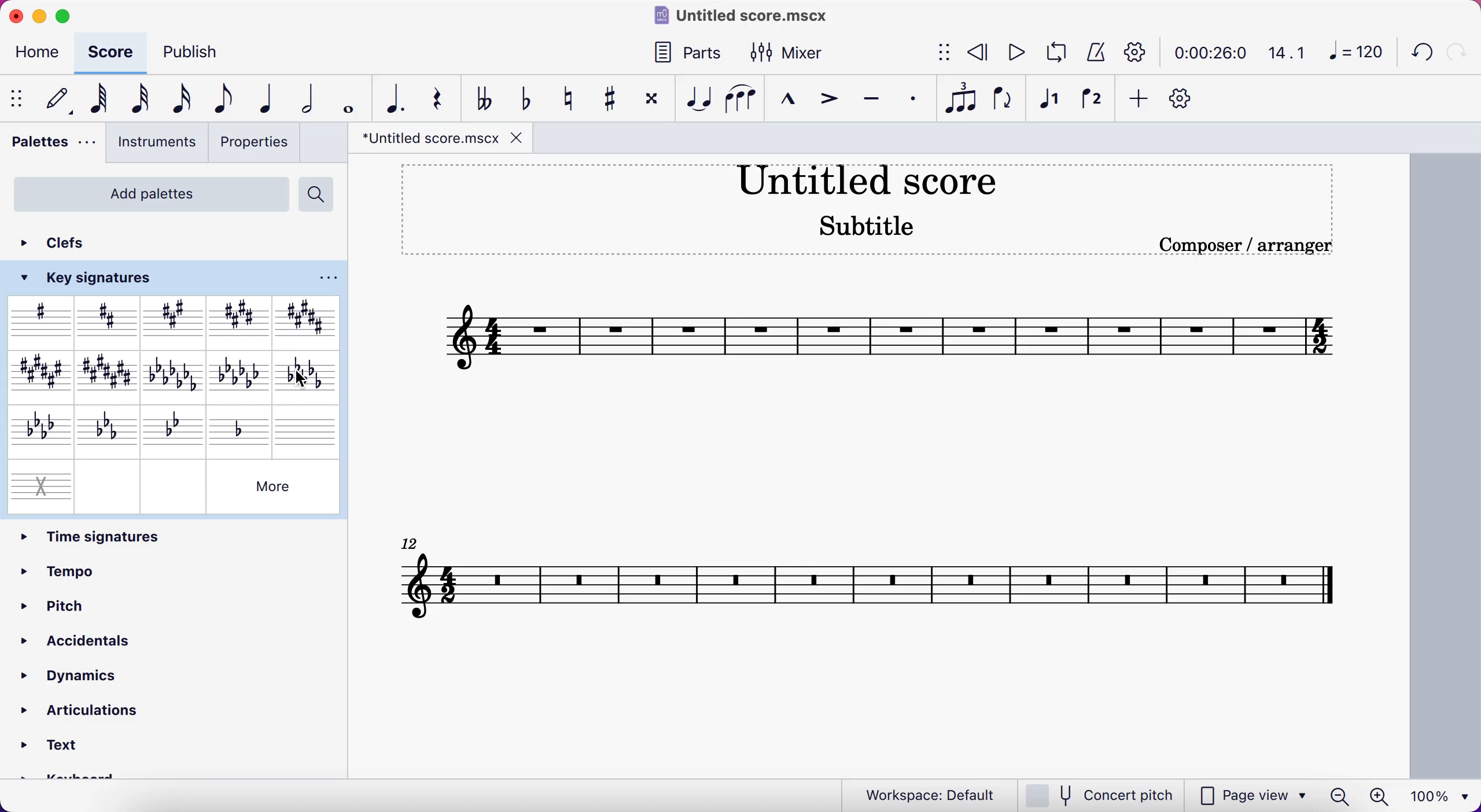  Describe the element at coordinates (1095, 102) in the screenshot. I see `voice 2` at that location.